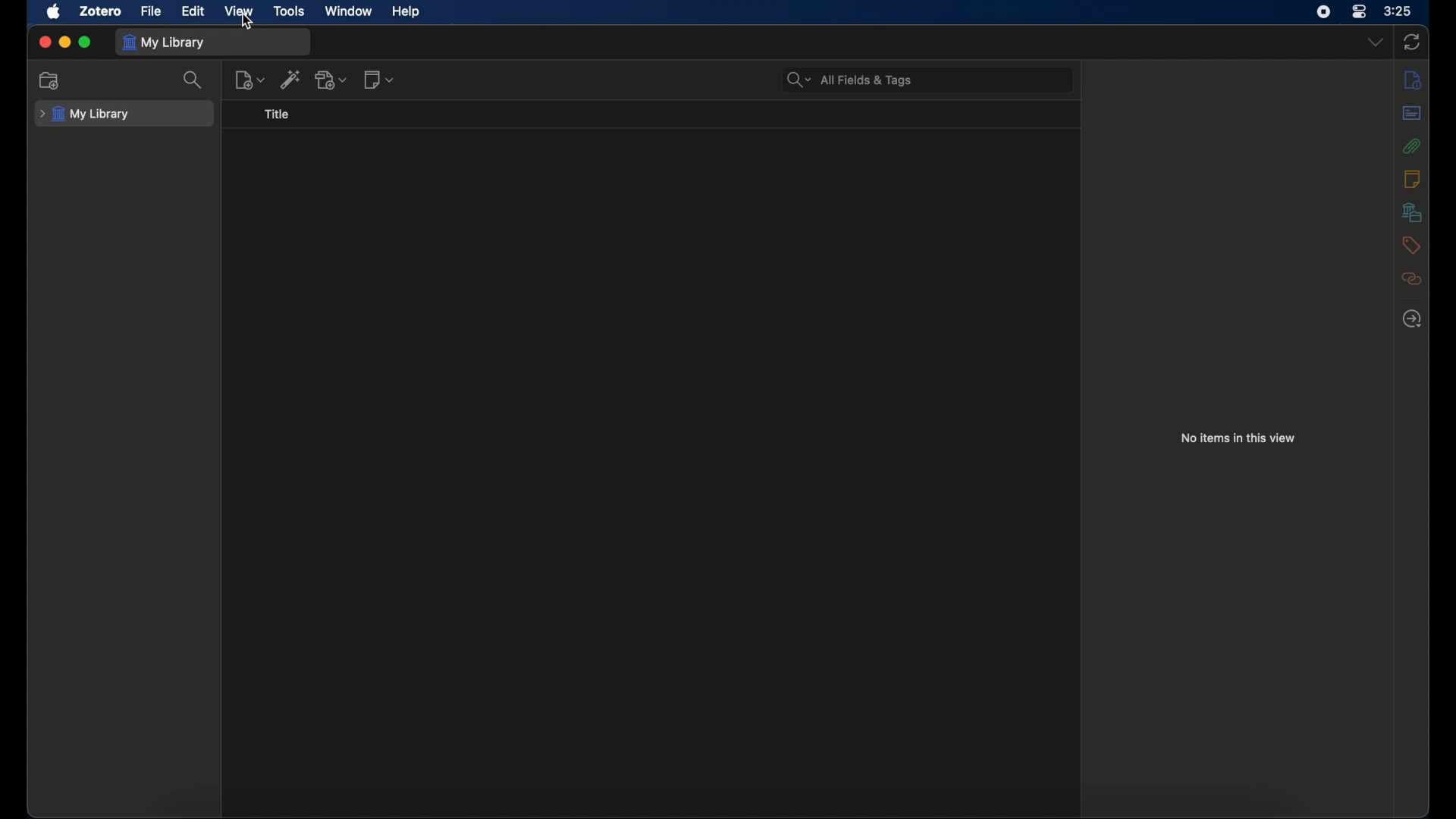  I want to click on close, so click(44, 42).